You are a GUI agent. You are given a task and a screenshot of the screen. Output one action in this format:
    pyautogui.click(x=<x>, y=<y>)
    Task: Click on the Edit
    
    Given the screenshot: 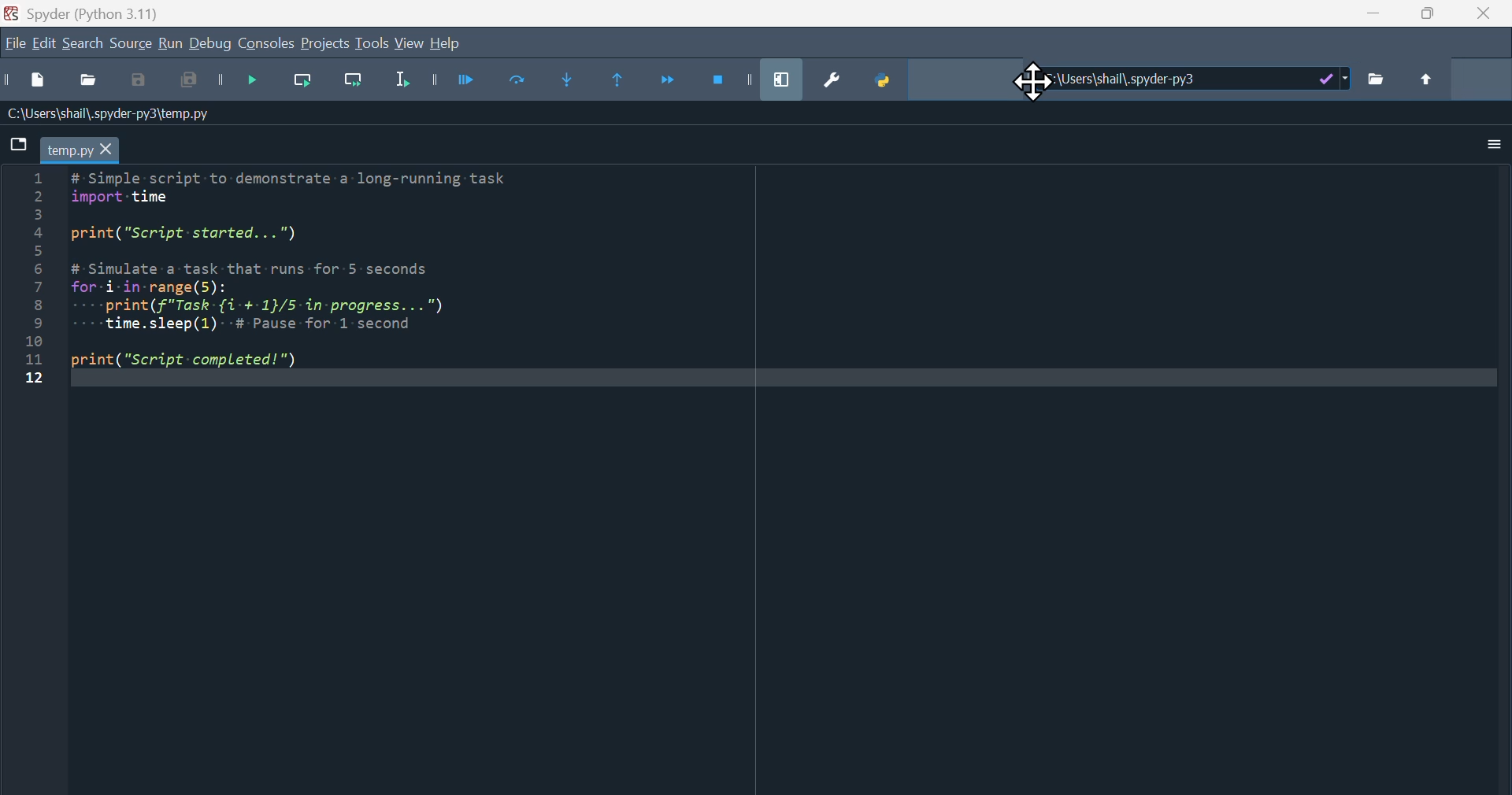 What is the action you would take?
    pyautogui.click(x=46, y=44)
    